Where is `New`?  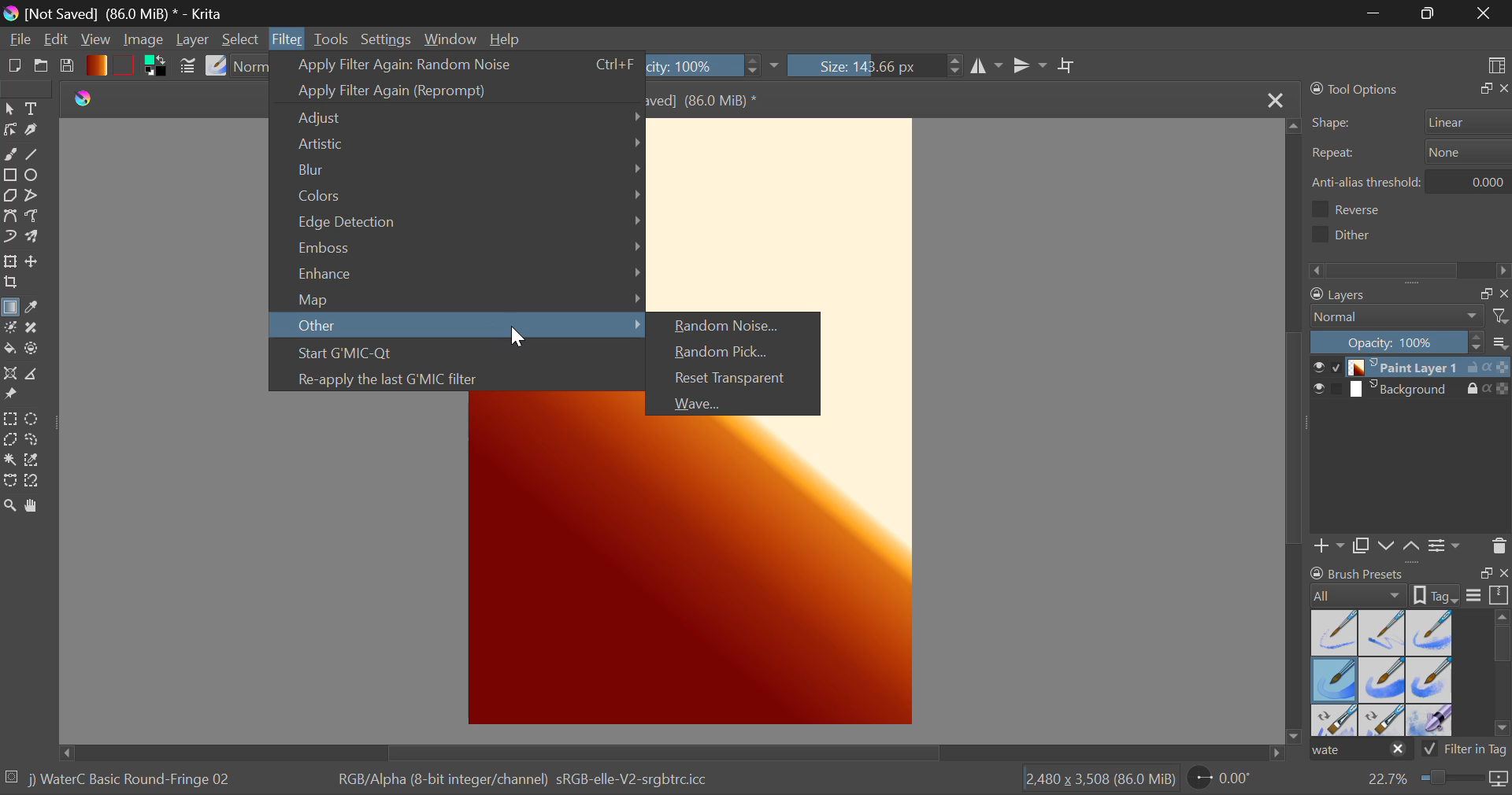 New is located at coordinates (14, 66).